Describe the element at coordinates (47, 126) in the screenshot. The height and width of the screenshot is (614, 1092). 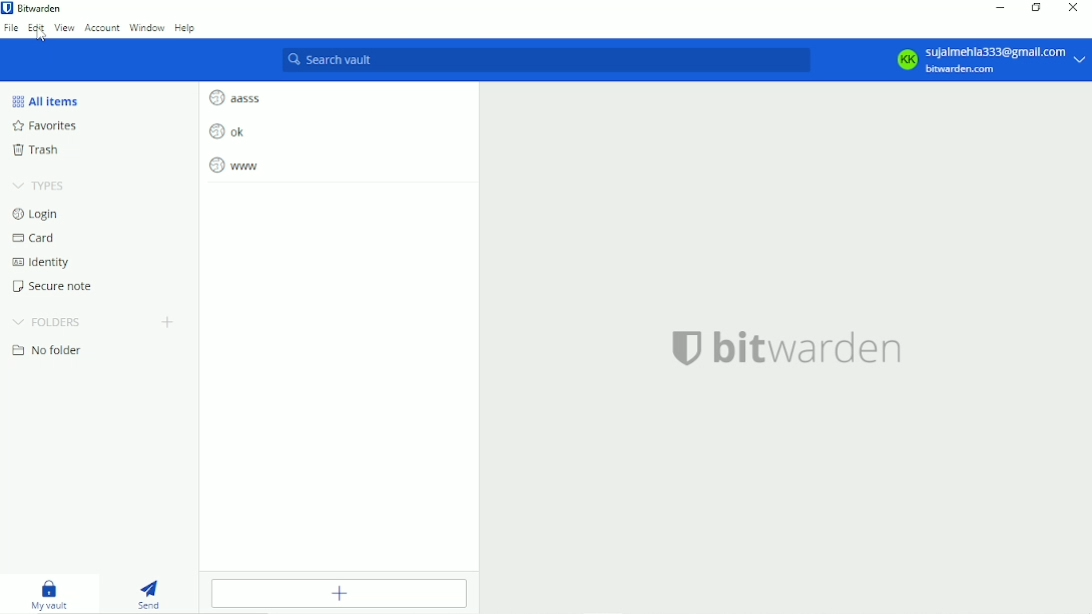
I see `Favorites` at that location.